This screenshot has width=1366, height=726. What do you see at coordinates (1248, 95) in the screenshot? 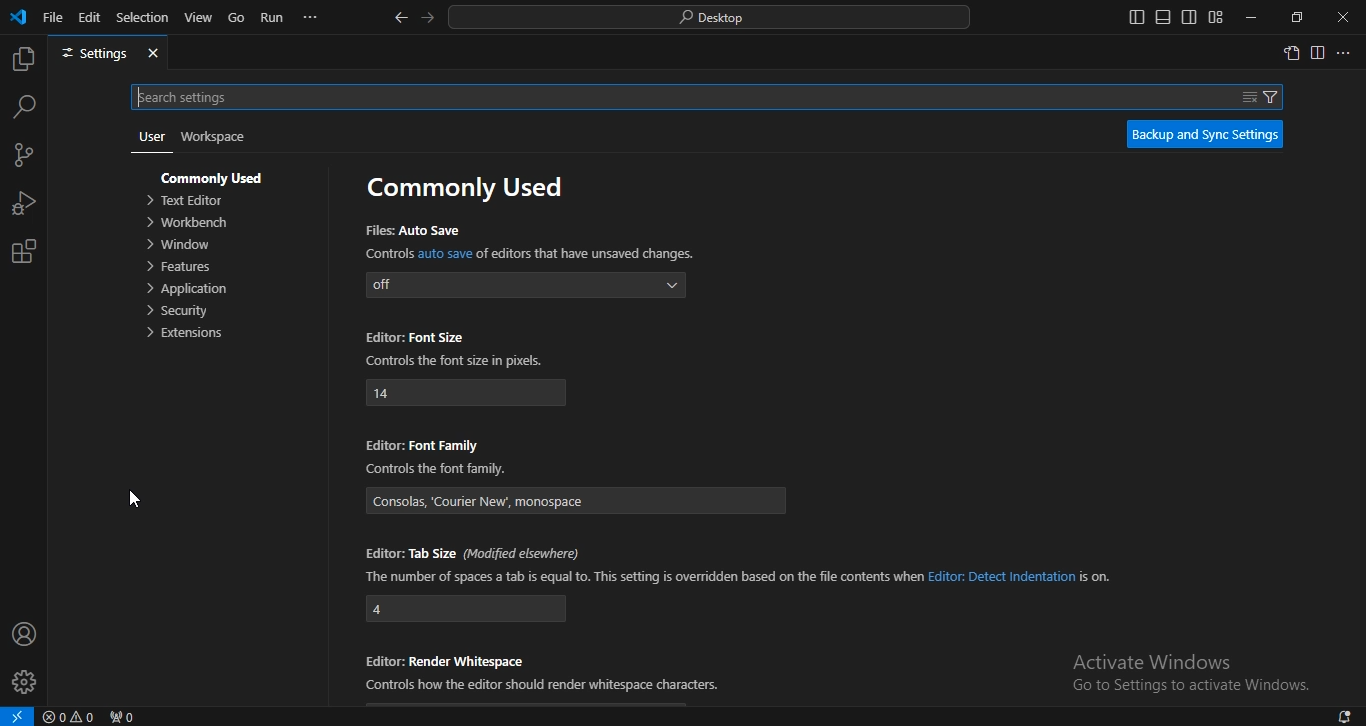
I see `clear search settings` at bounding box center [1248, 95].